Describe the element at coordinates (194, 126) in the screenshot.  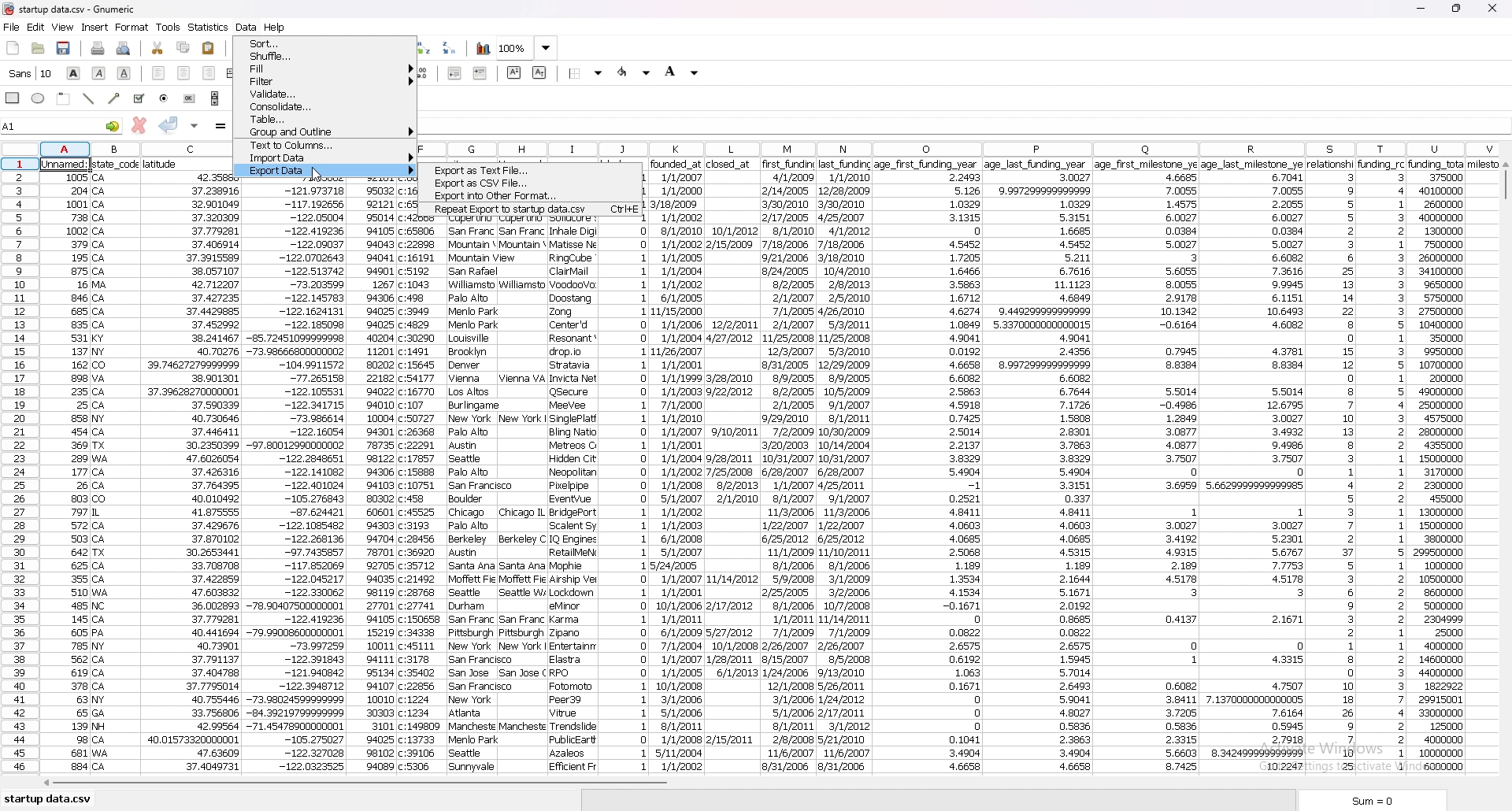
I see `accept changes in multple cell` at that location.